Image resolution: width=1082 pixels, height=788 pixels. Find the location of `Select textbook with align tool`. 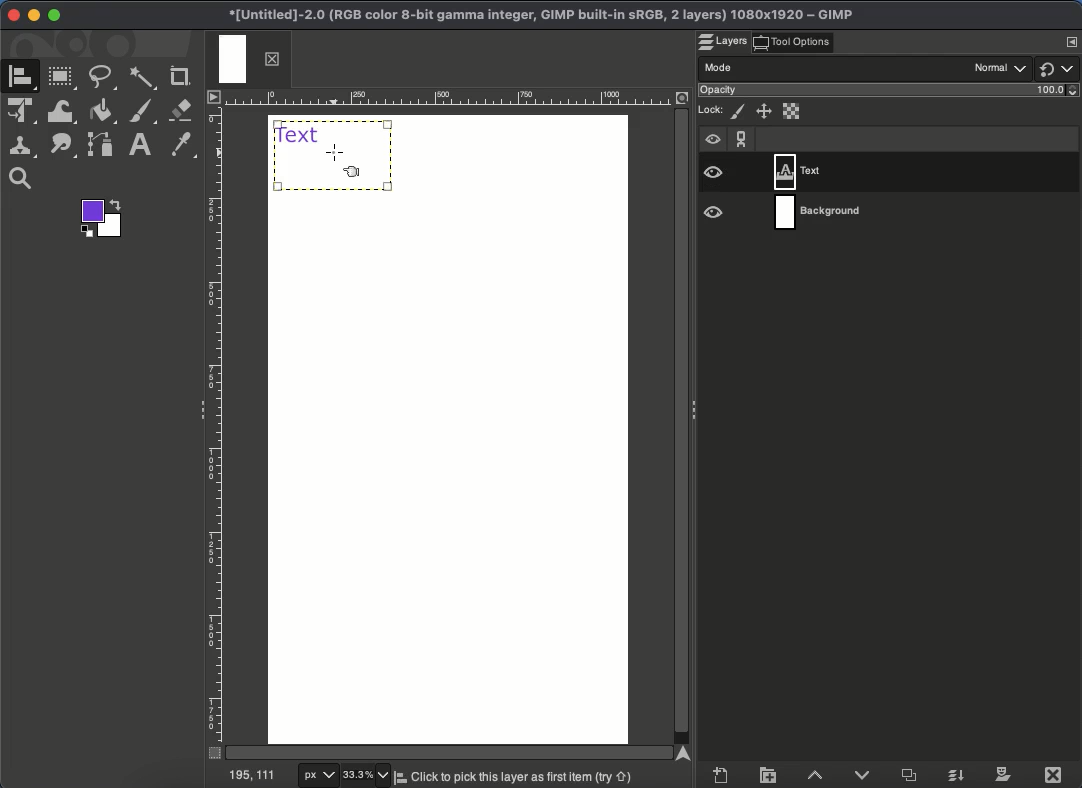

Select textbook with align tool is located at coordinates (332, 155).